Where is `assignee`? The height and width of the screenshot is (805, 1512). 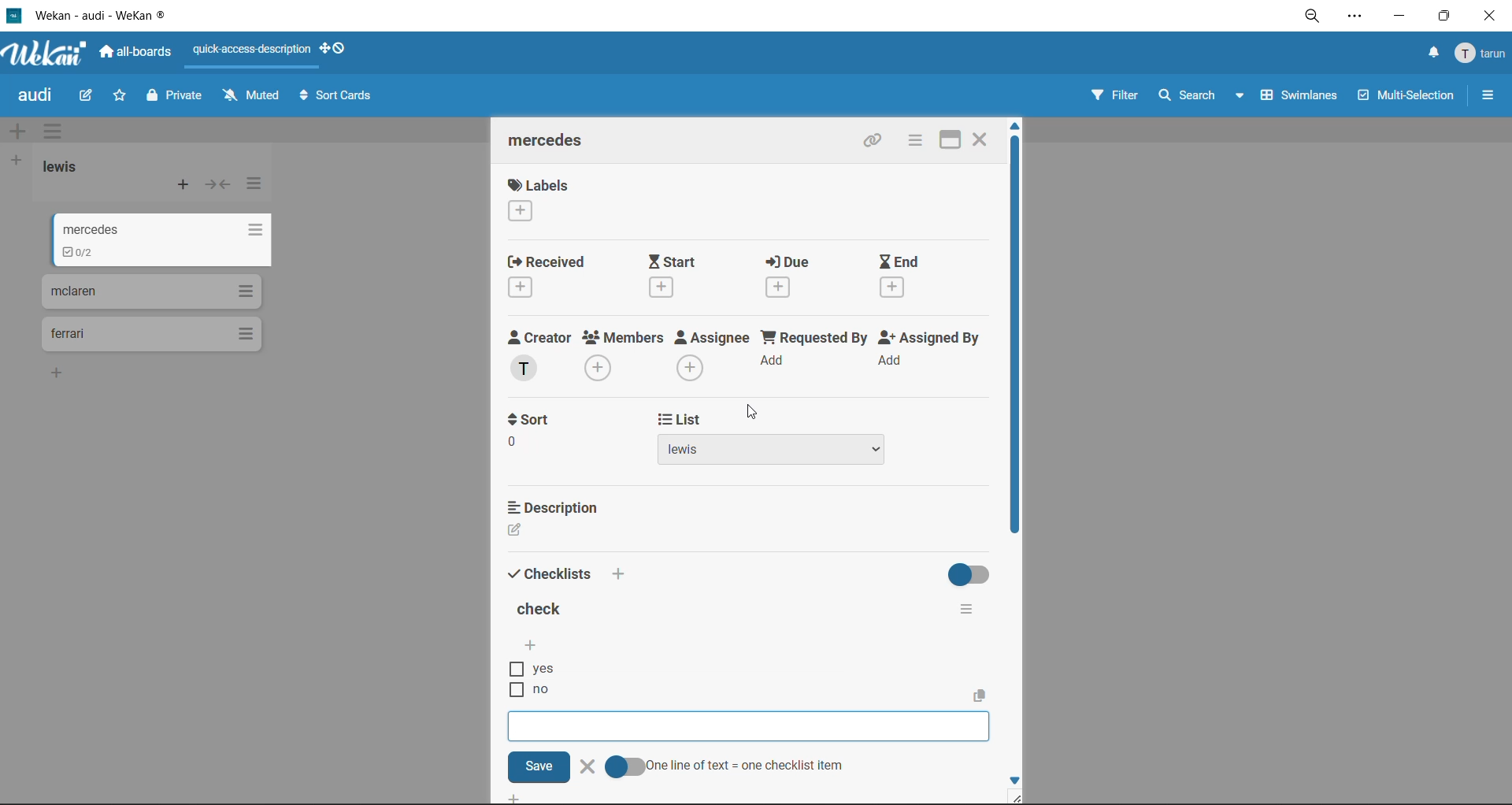
assignee is located at coordinates (717, 358).